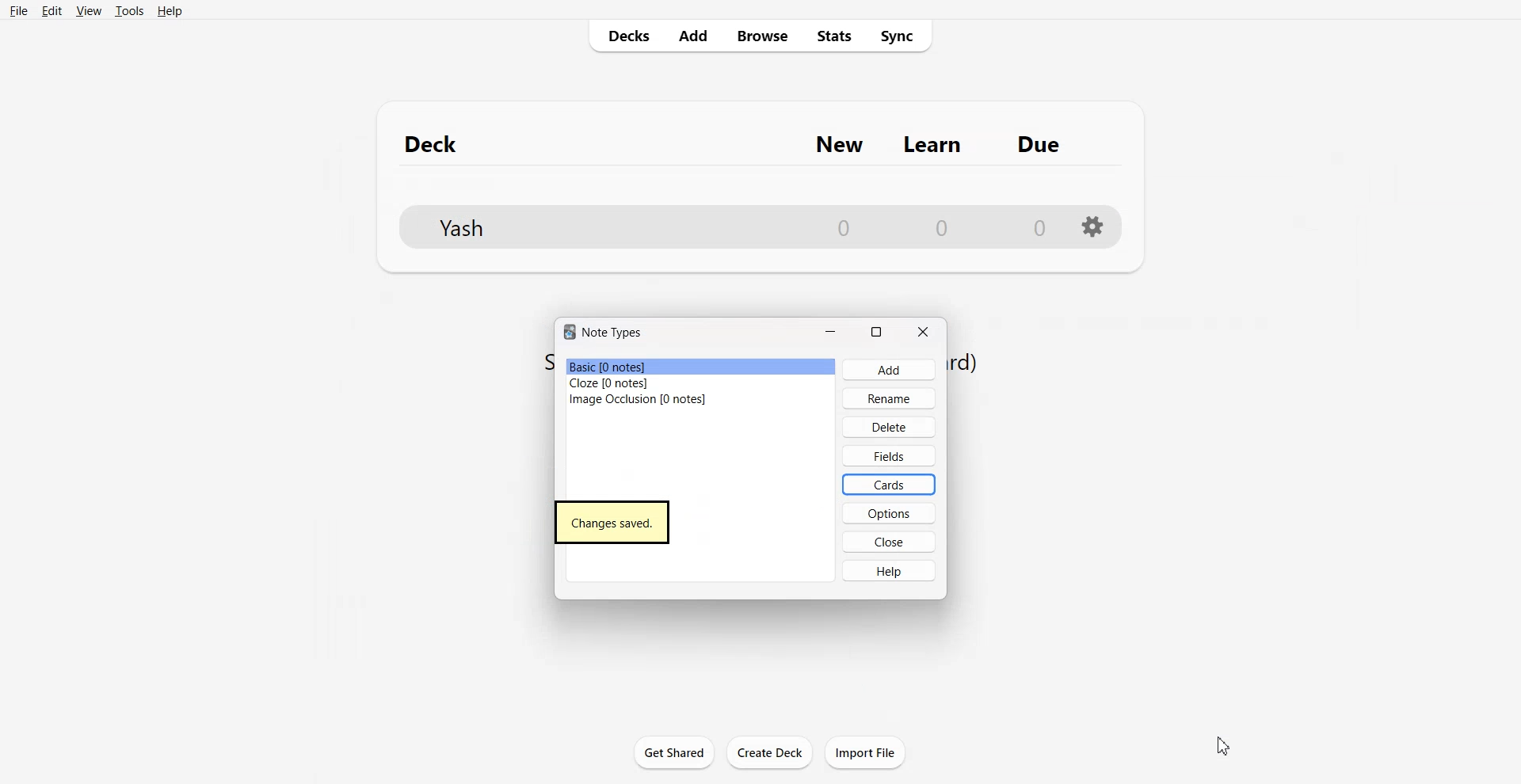  I want to click on Maximize, so click(875, 330).